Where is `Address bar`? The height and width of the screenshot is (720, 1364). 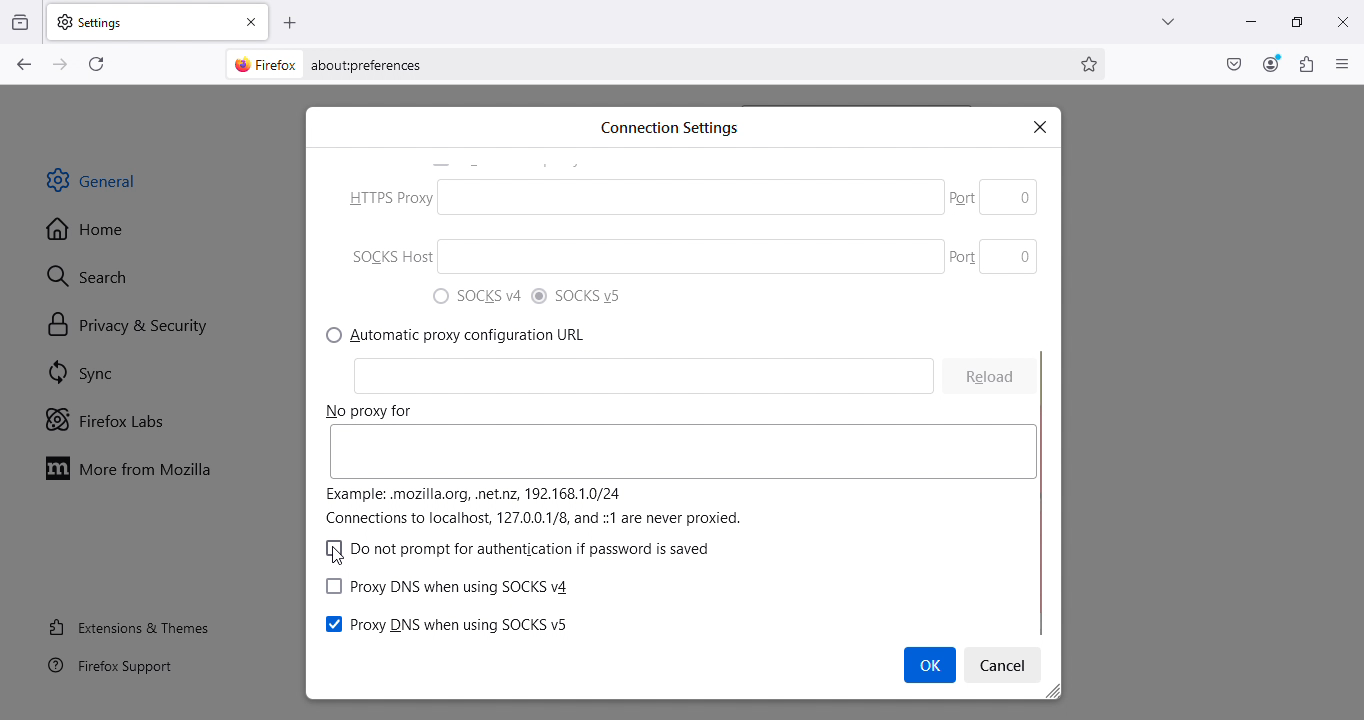
Address bar is located at coordinates (690, 64).